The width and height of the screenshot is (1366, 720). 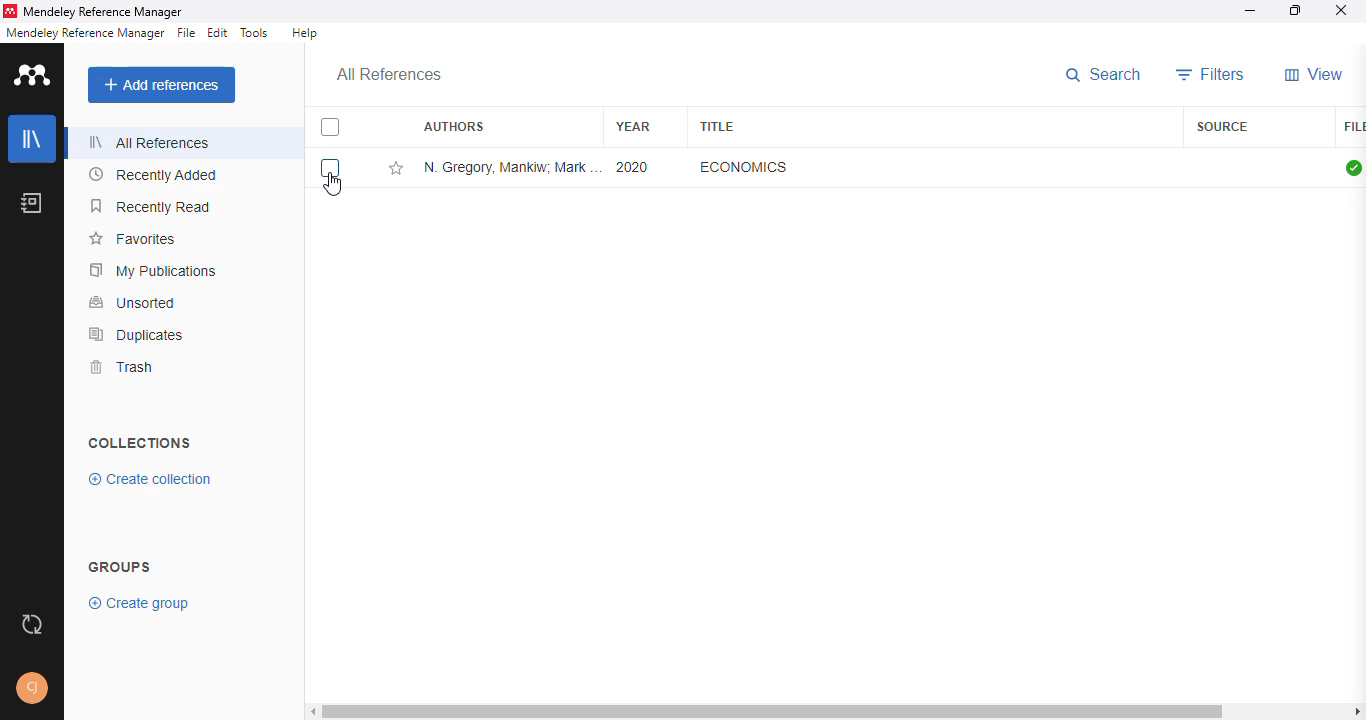 What do you see at coordinates (32, 688) in the screenshot?
I see `profile` at bounding box center [32, 688].